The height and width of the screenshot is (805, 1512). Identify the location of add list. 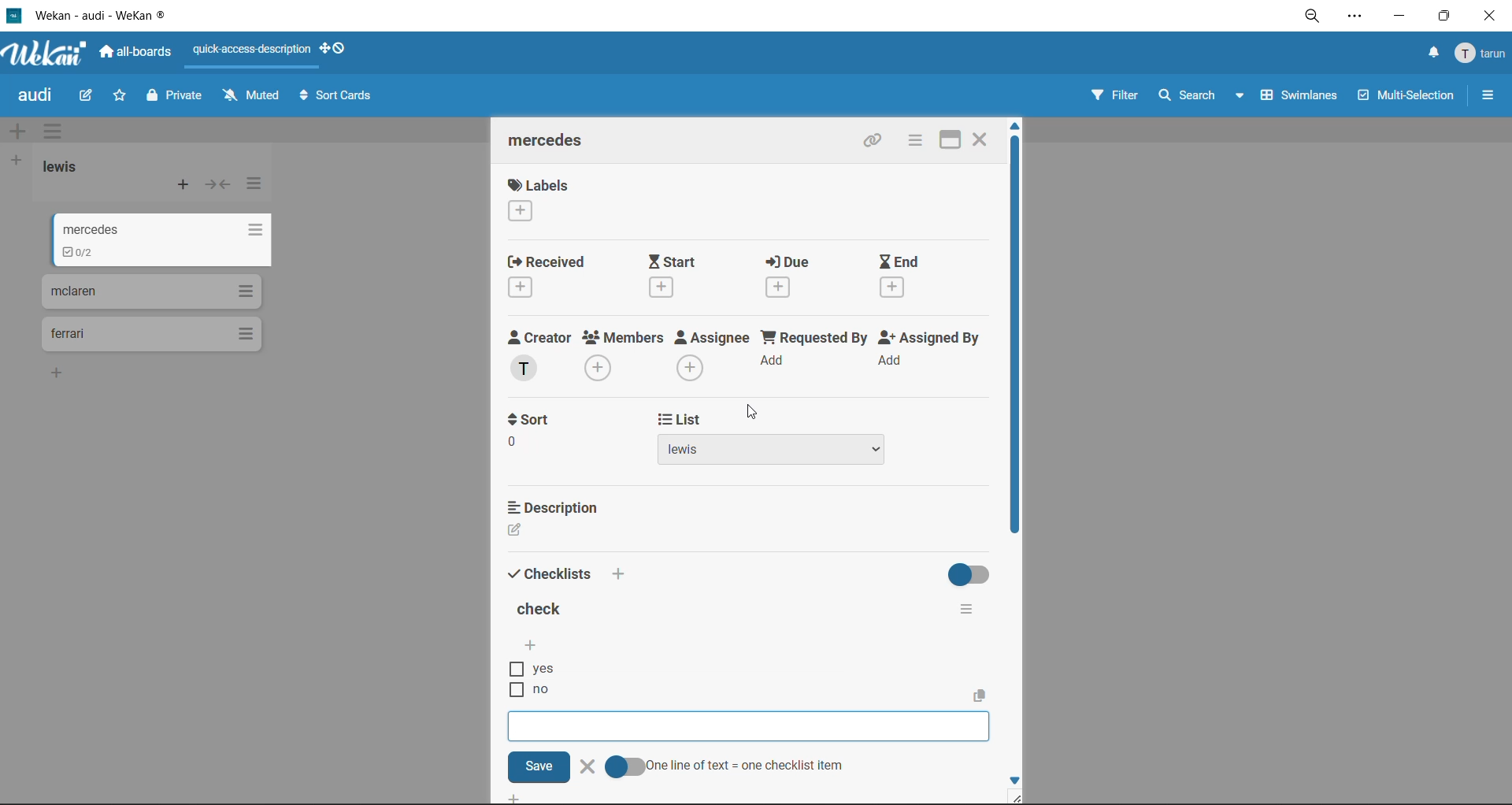
(17, 161).